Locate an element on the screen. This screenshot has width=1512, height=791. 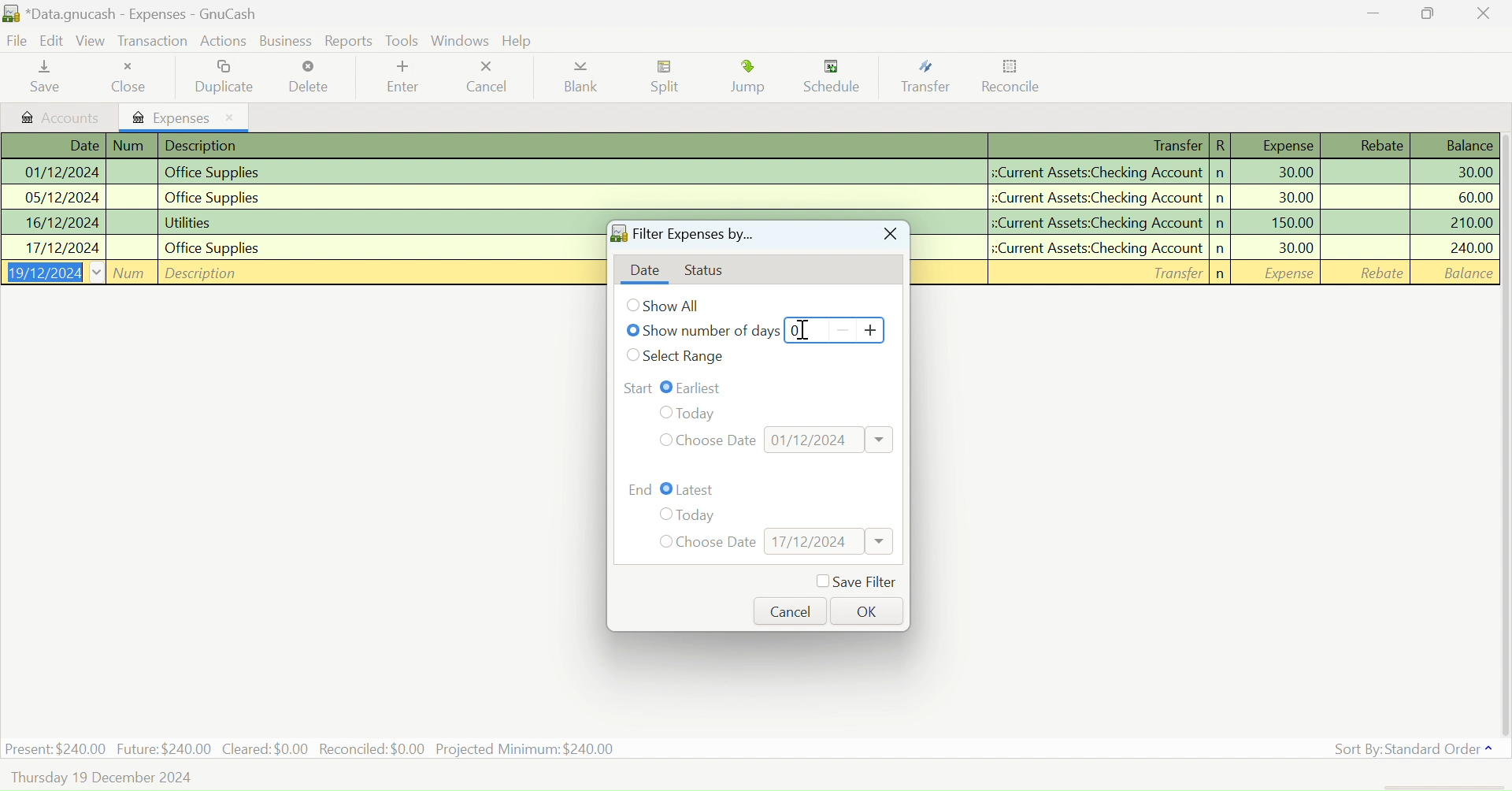
Close is located at coordinates (133, 77).